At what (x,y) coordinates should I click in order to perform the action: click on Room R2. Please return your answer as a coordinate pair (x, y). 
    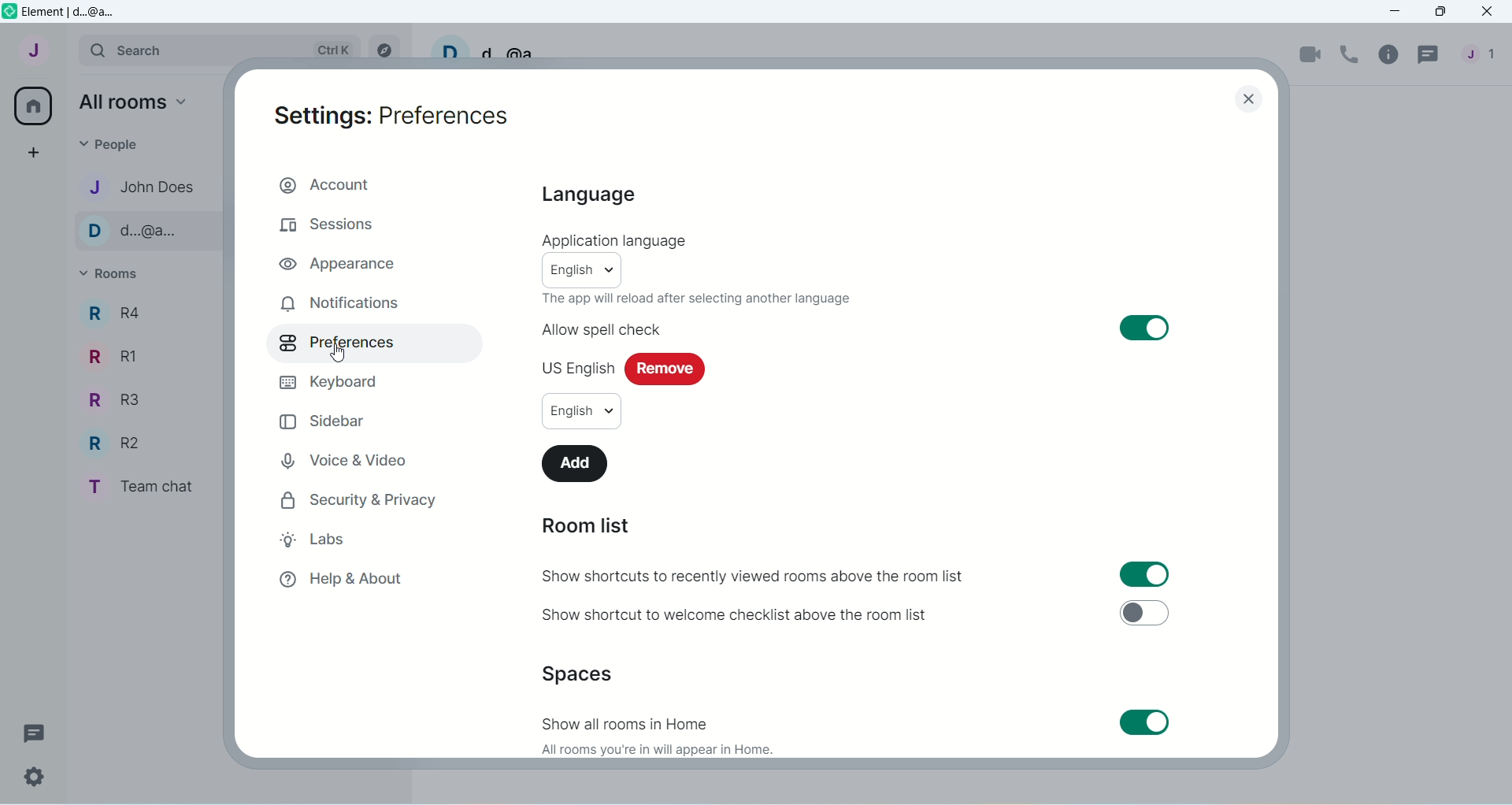
    Looking at the image, I should click on (114, 440).